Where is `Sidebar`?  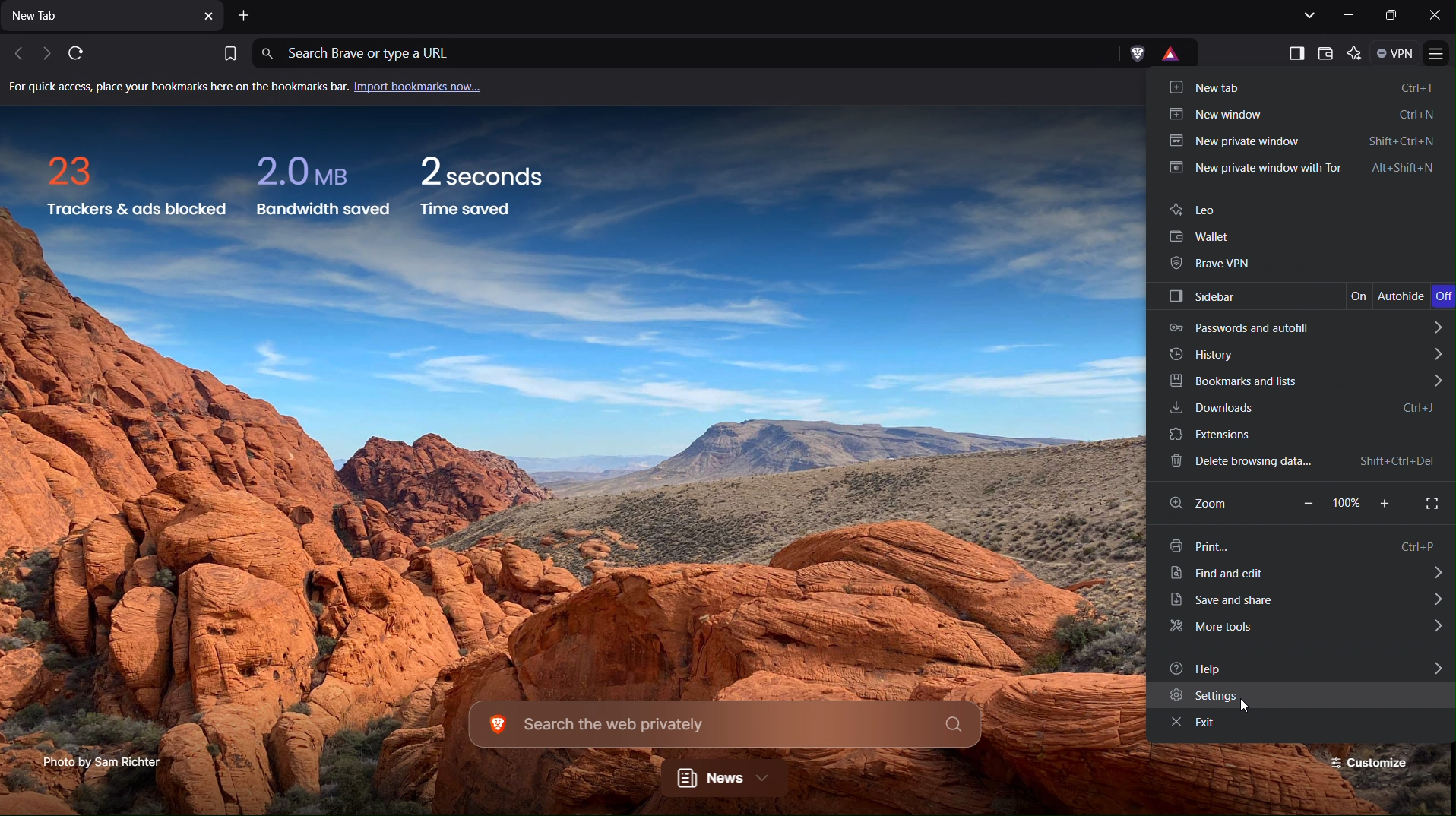
Sidebar is located at coordinates (1301, 297).